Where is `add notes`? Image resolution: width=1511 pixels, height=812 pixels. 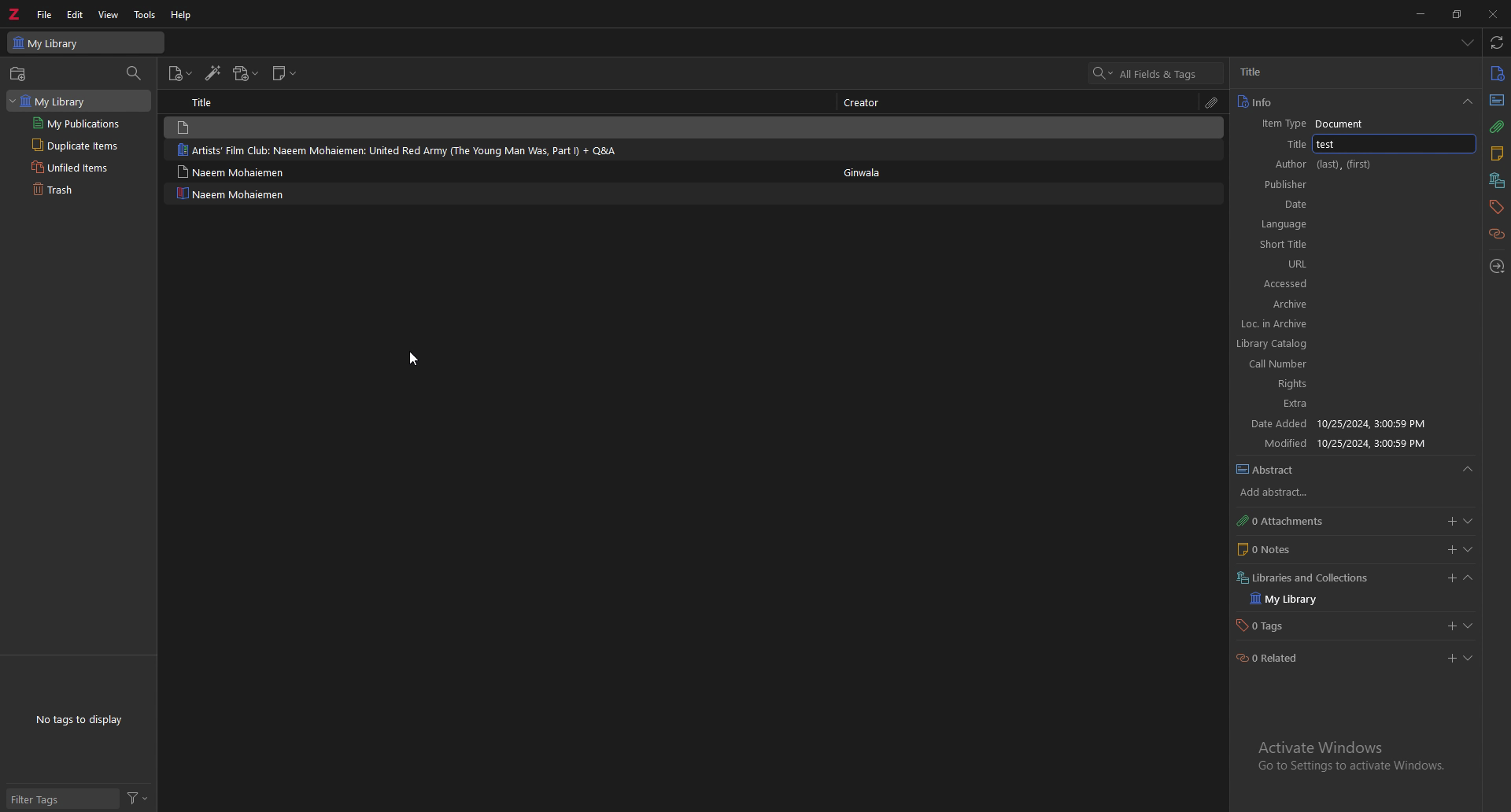
add notes is located at coordinates (1450, 549).